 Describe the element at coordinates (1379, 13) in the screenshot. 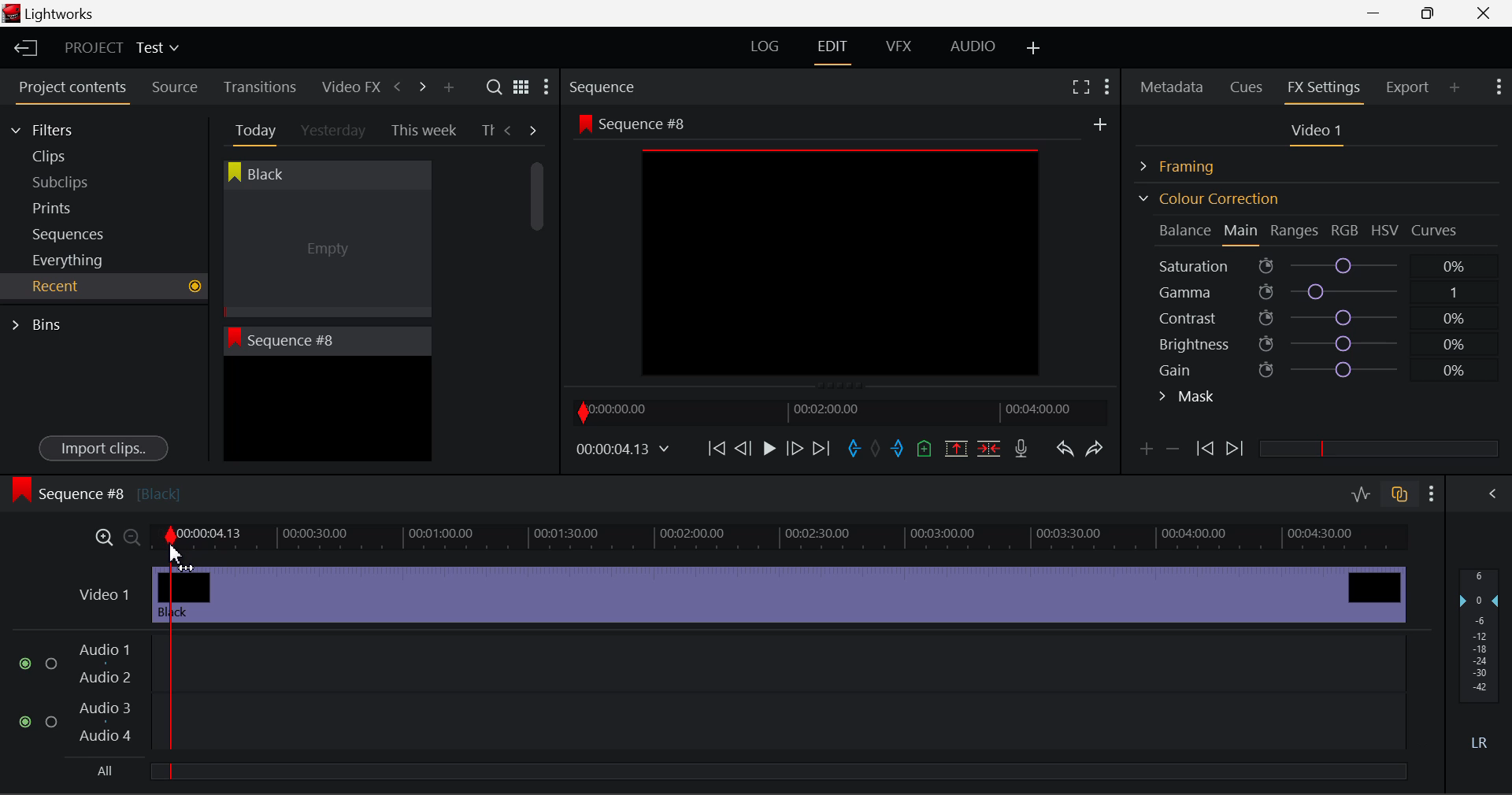

I see `Restore Down` at that location.